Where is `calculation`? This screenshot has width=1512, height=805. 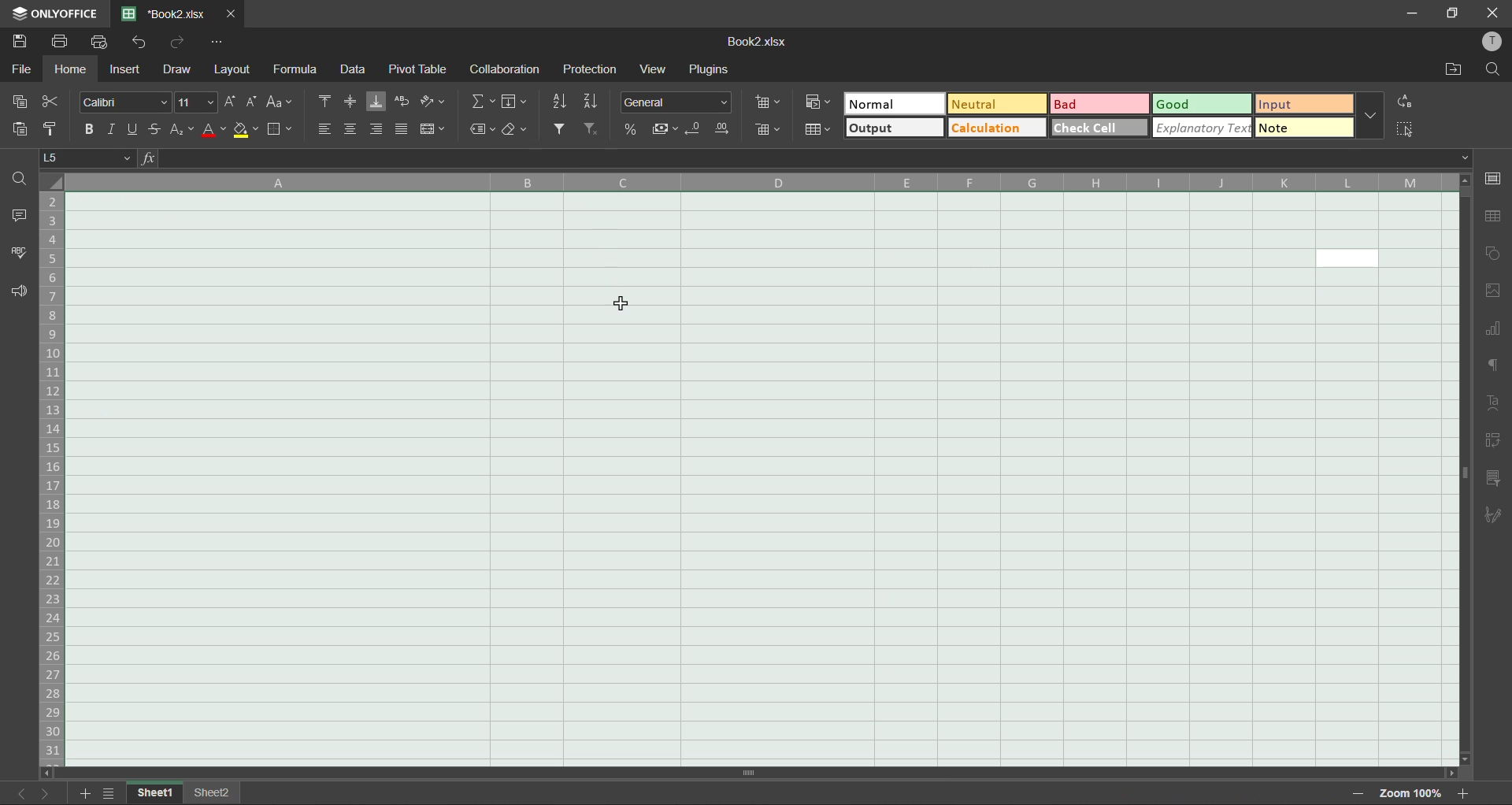
calculation is located at coordinates (999, 128).